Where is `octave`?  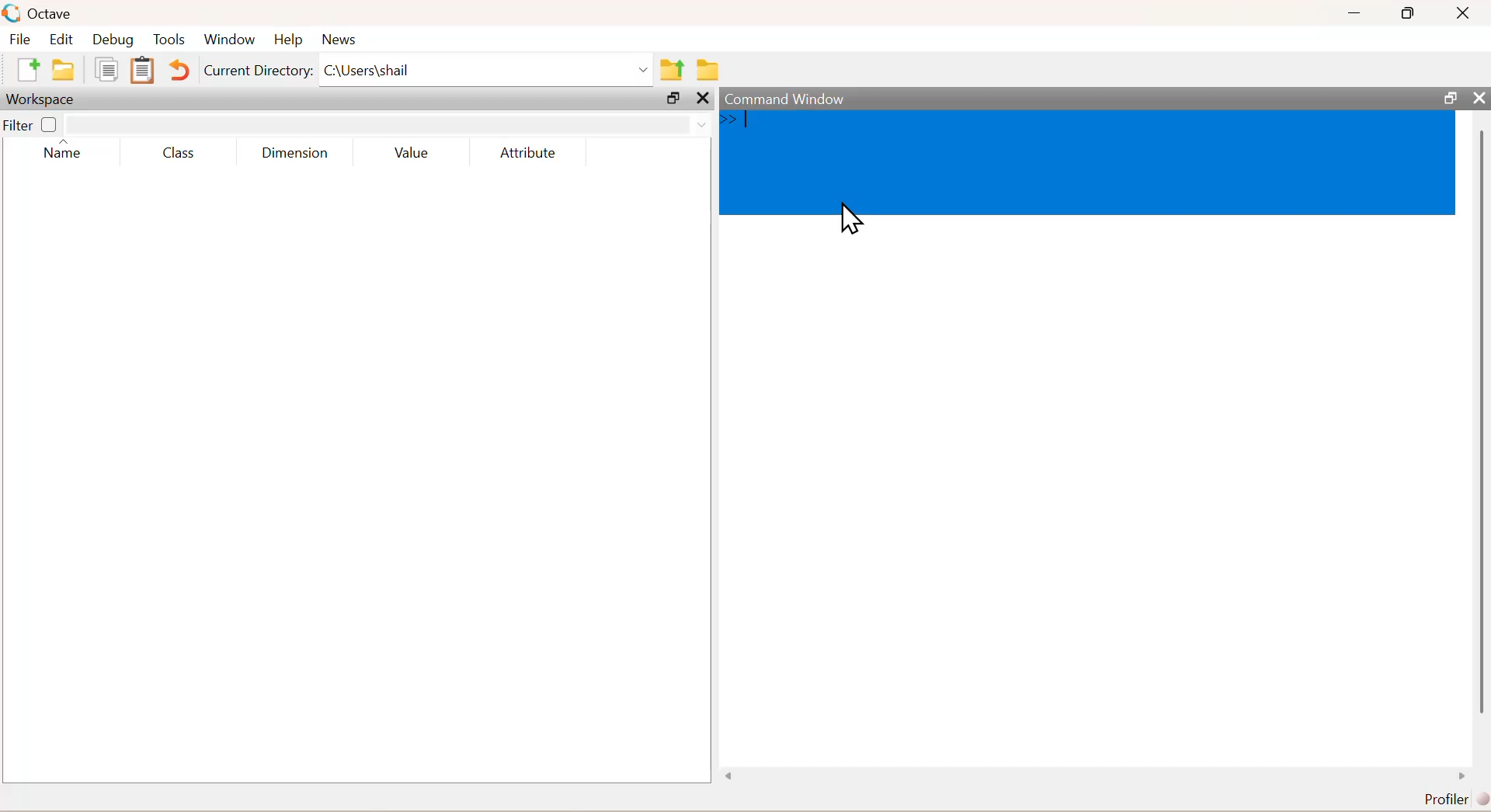
octave is located at coordinates (53, 15).